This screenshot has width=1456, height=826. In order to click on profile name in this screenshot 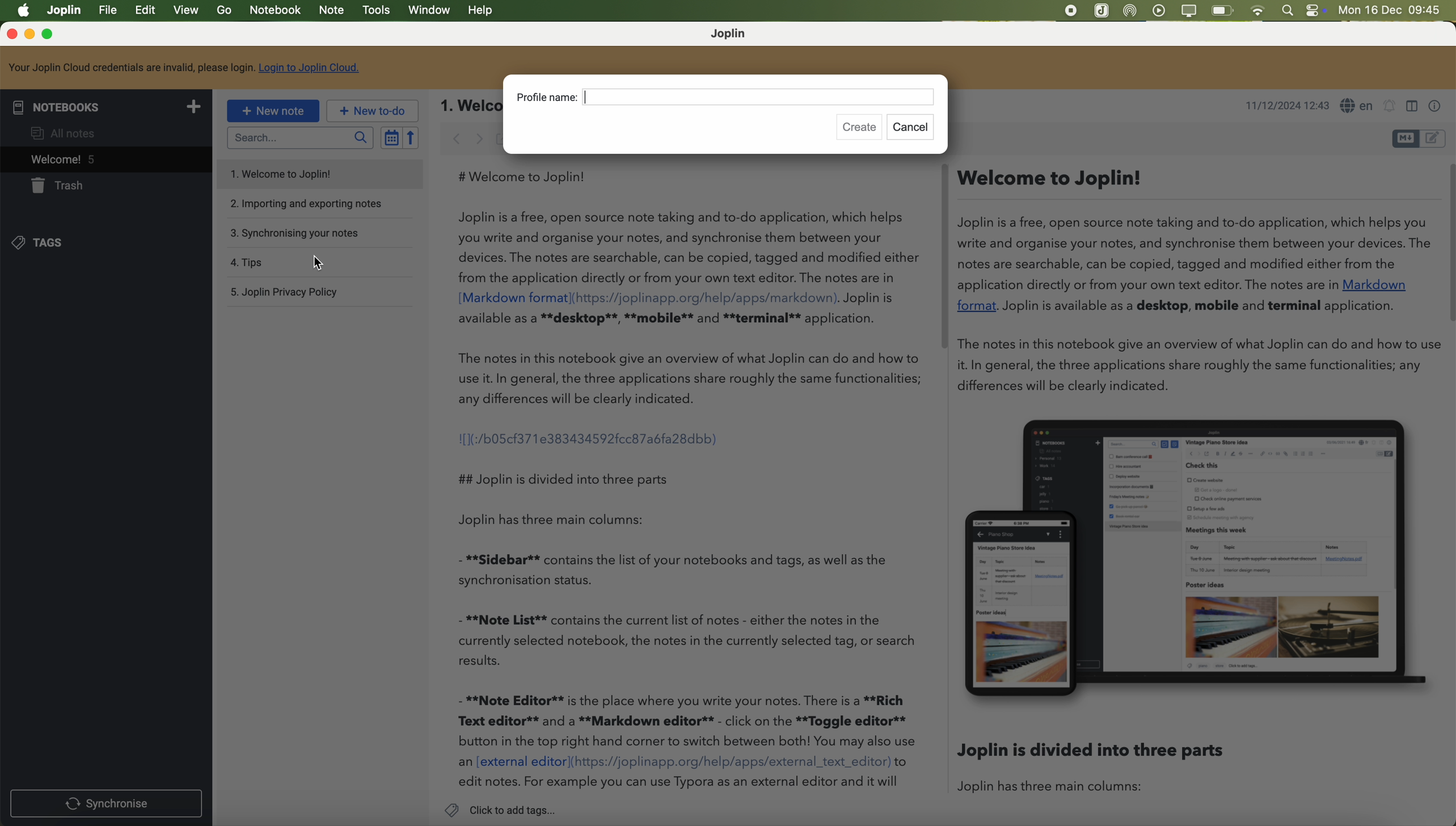, I will do `click(727, 99)`.